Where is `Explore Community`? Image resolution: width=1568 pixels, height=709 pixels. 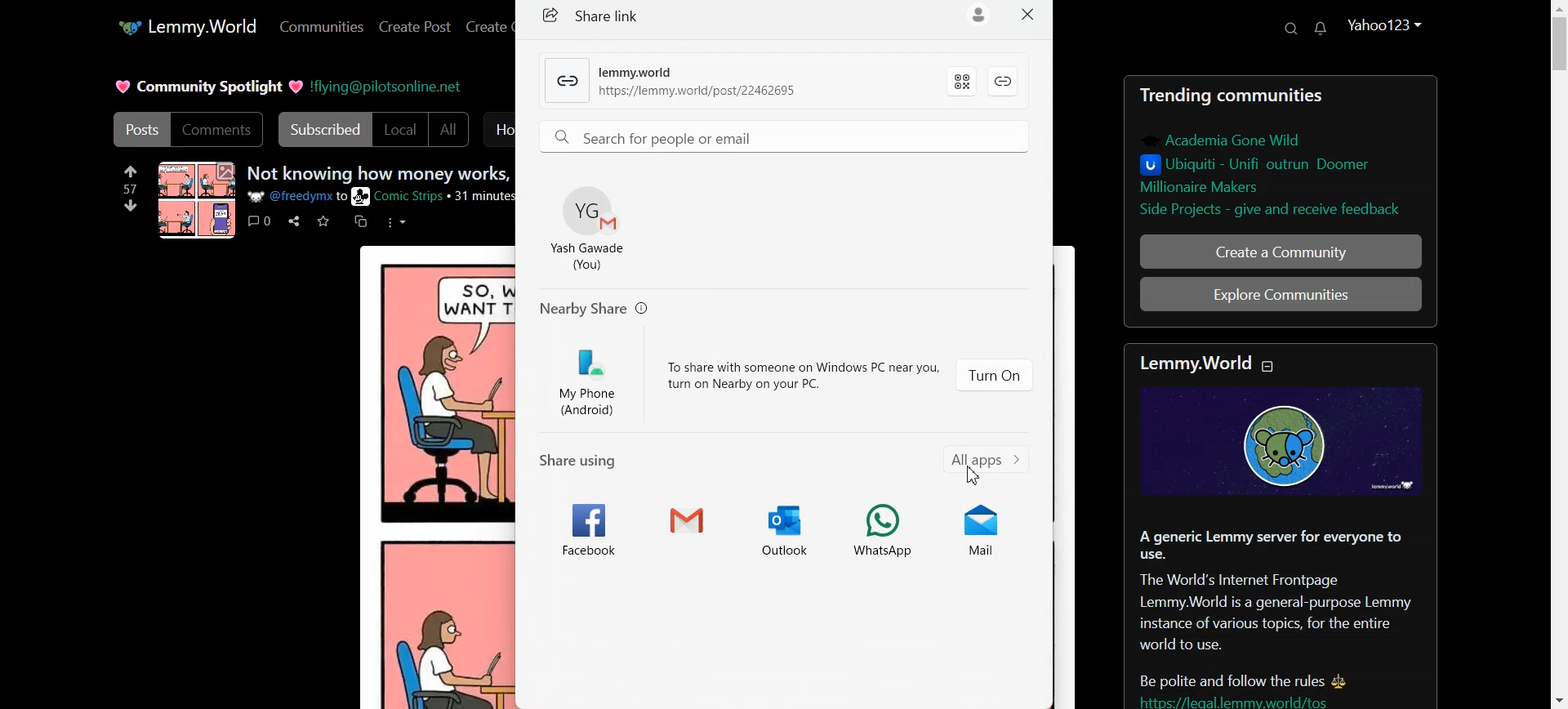 Explore Community is located at coordinates (1280, 294).